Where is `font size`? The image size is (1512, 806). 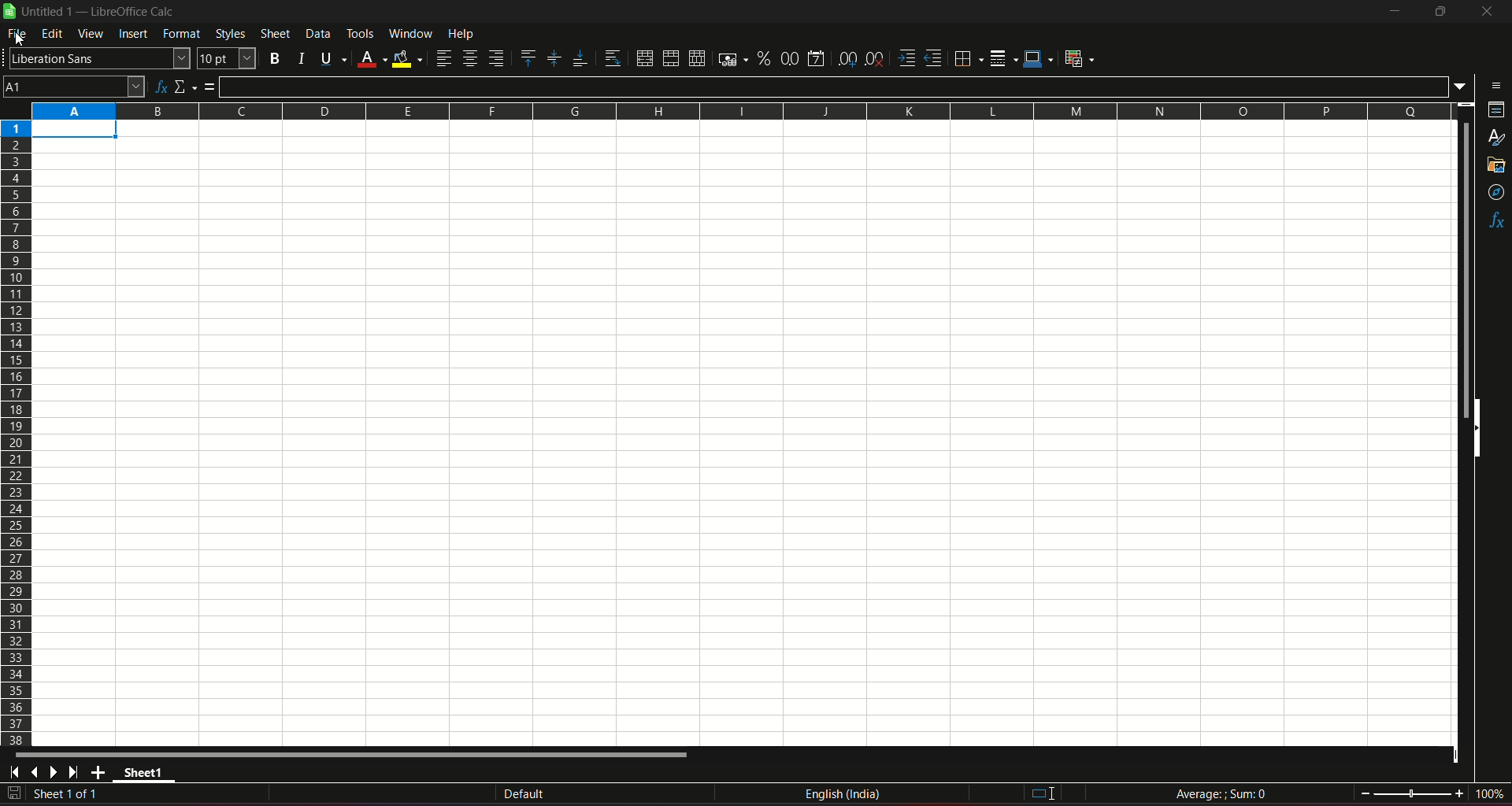 font size is located at coordinates (228, 59).